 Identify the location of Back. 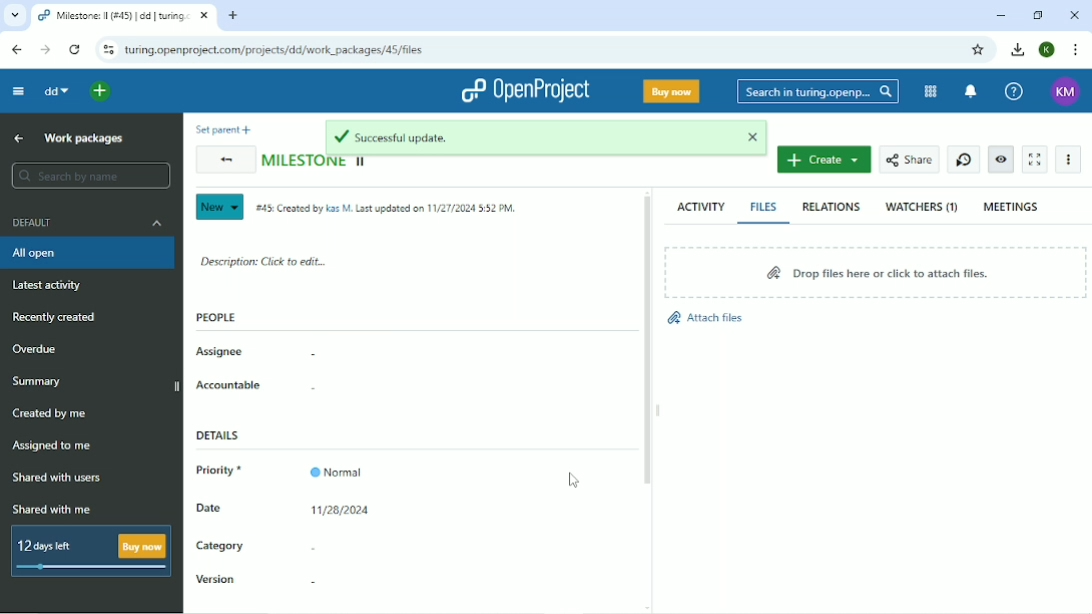
(16, 50).